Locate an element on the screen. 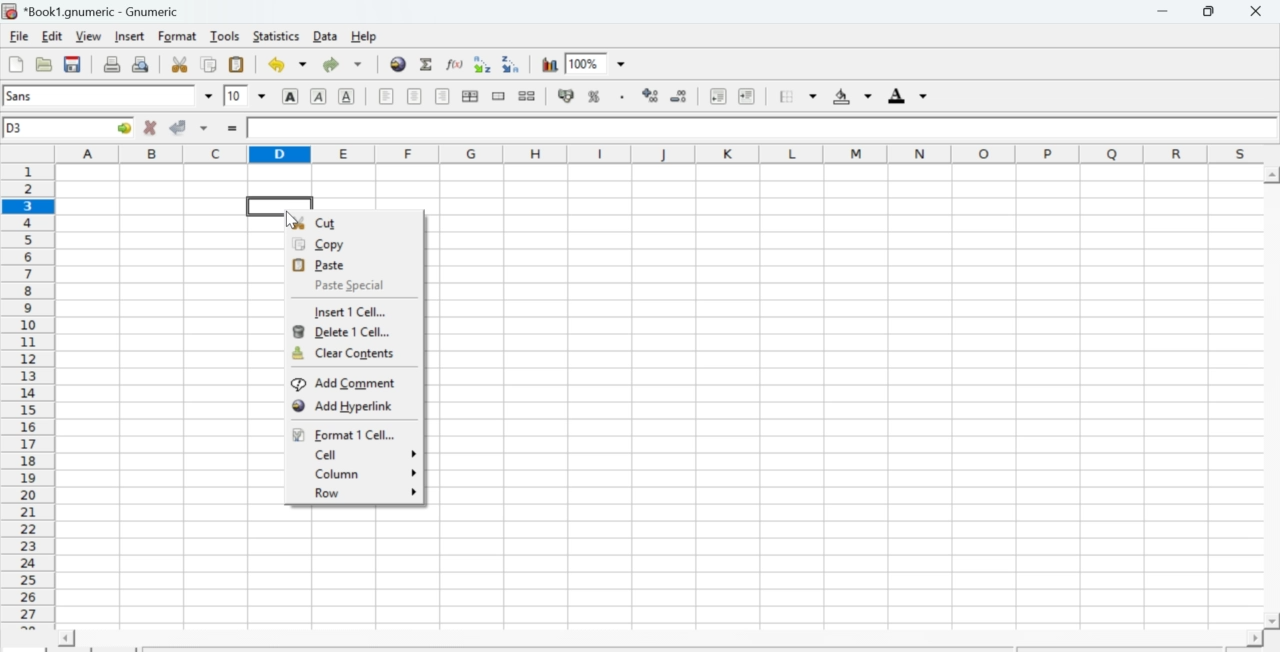 The width and height of the screenshot is (1280, 652). add hyperlink is located at coordinates (339, 406).